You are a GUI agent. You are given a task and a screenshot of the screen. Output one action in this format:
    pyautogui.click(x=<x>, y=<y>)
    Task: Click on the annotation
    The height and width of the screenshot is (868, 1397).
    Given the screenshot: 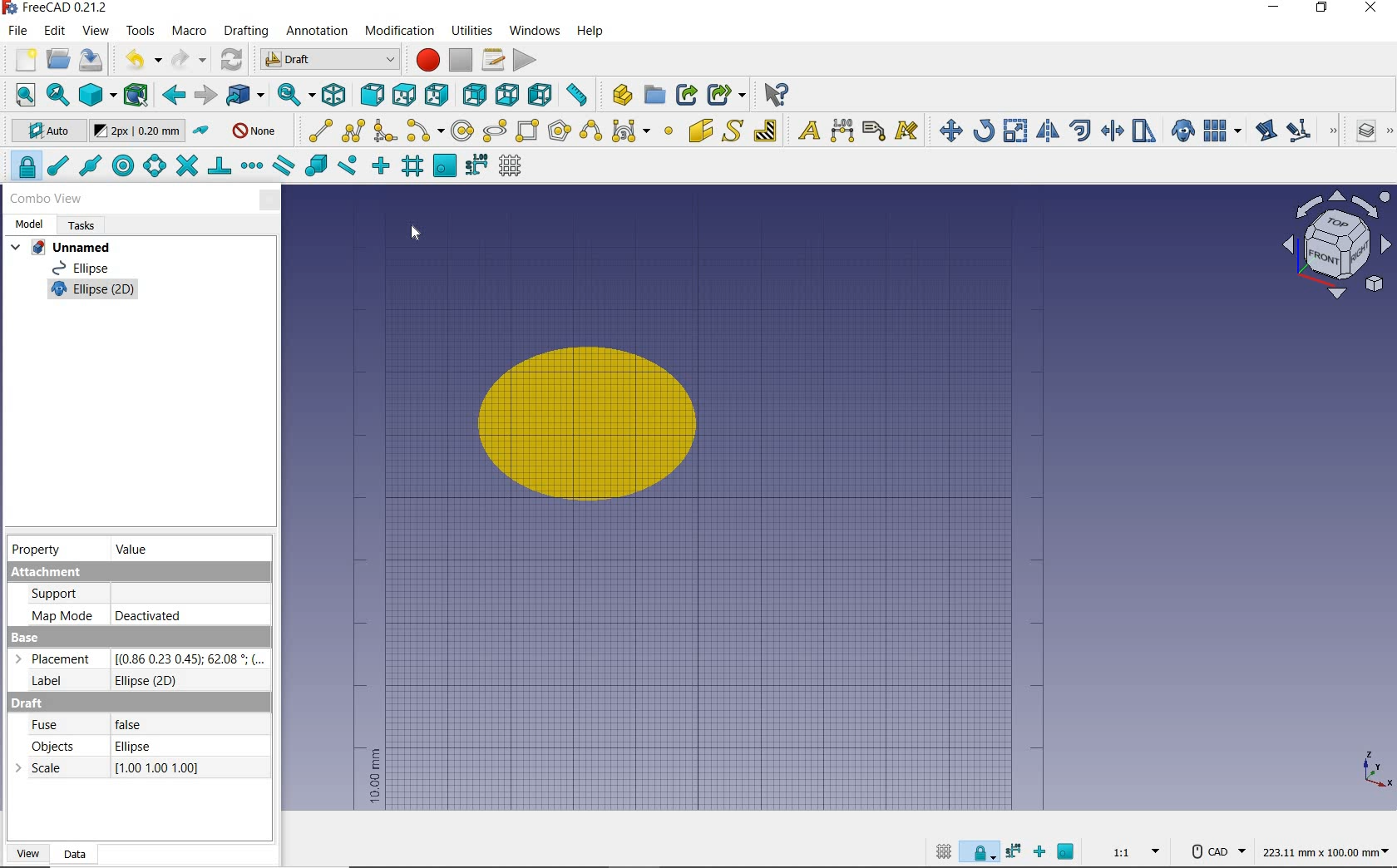 What is the action you would take?
    pyautogui.click(x=317, y=32)
    